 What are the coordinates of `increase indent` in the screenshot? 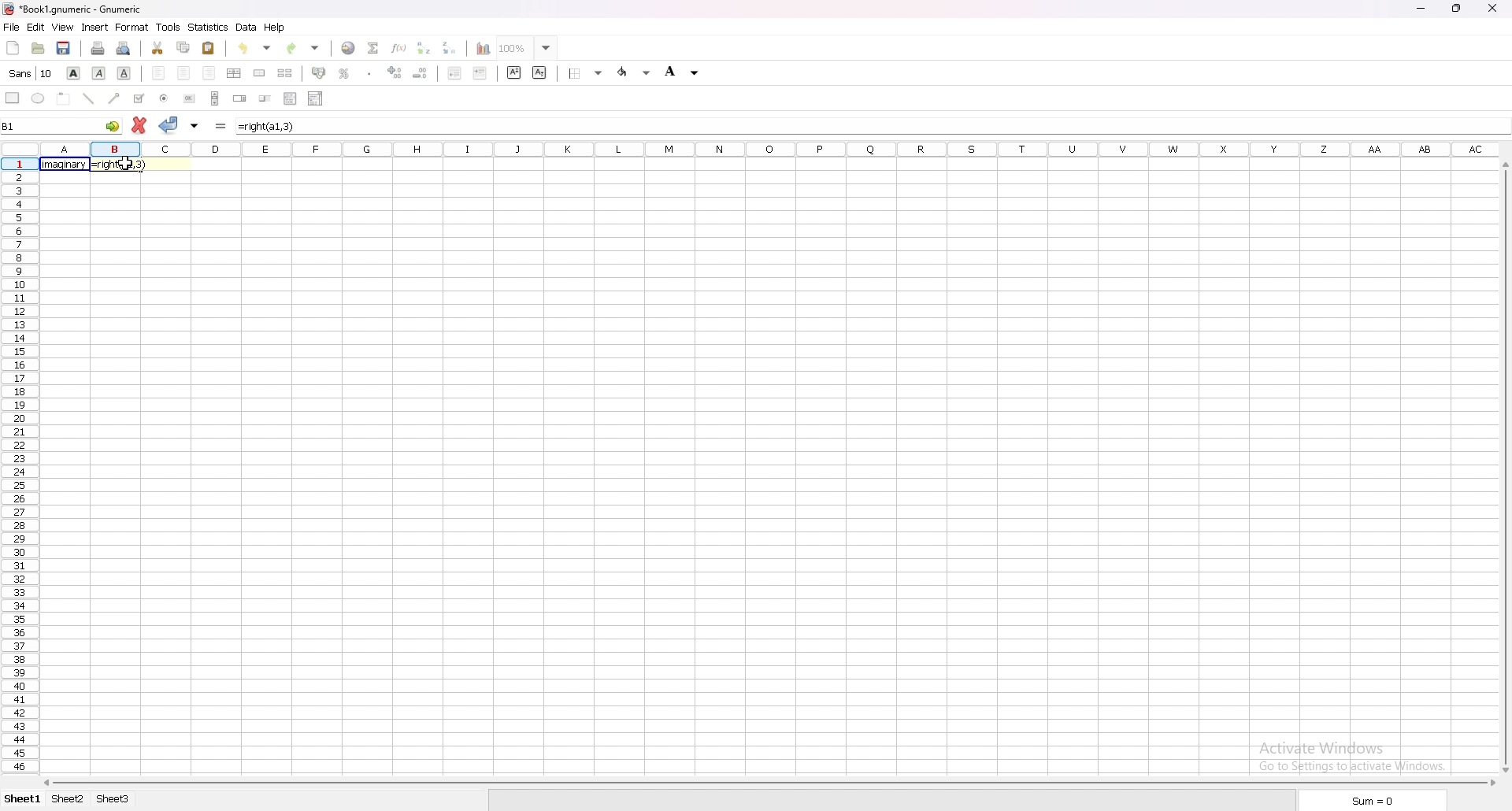 It's located at (481, 74).